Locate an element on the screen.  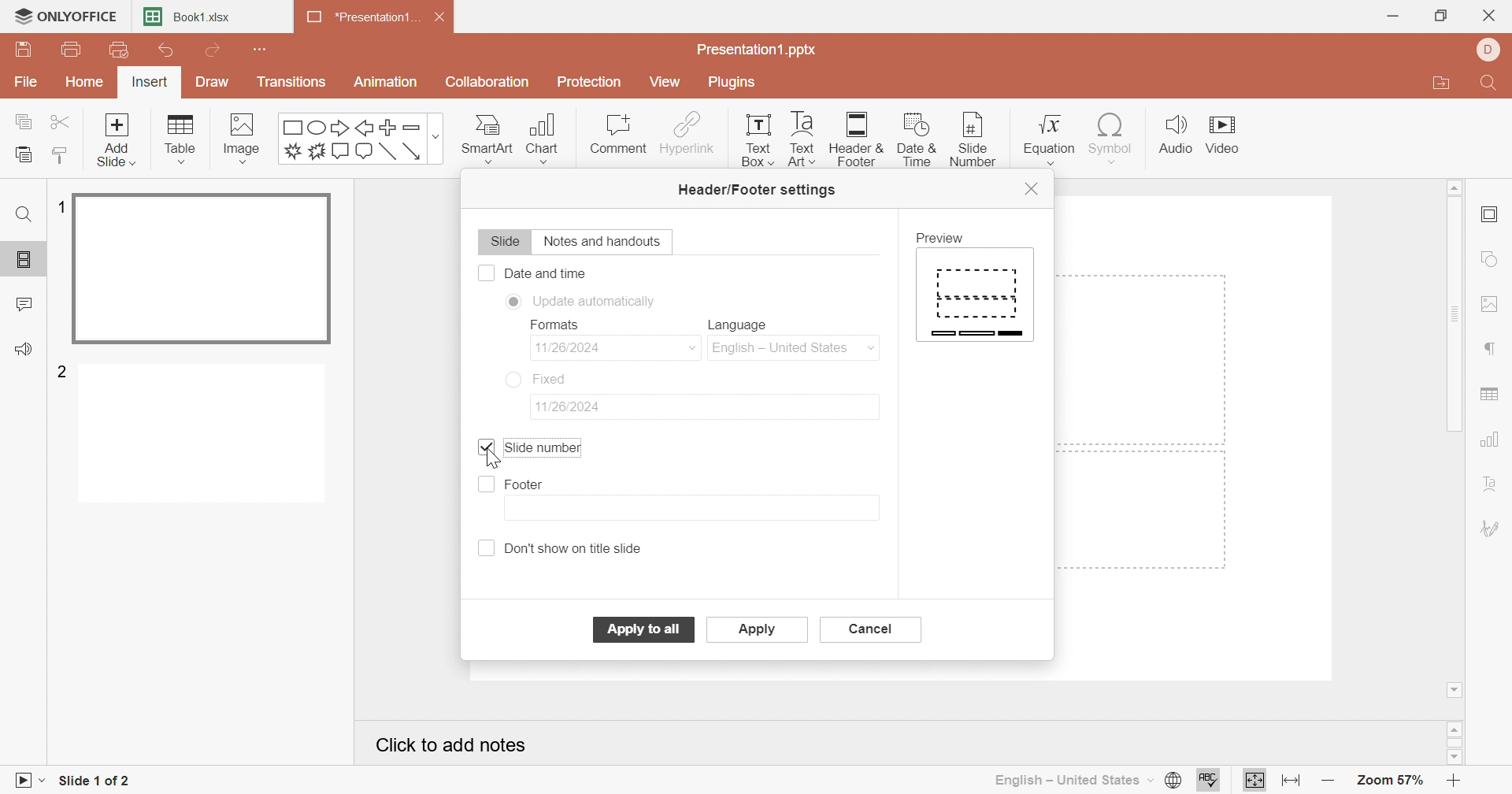
Radio button is located at coordinates (513, 378).